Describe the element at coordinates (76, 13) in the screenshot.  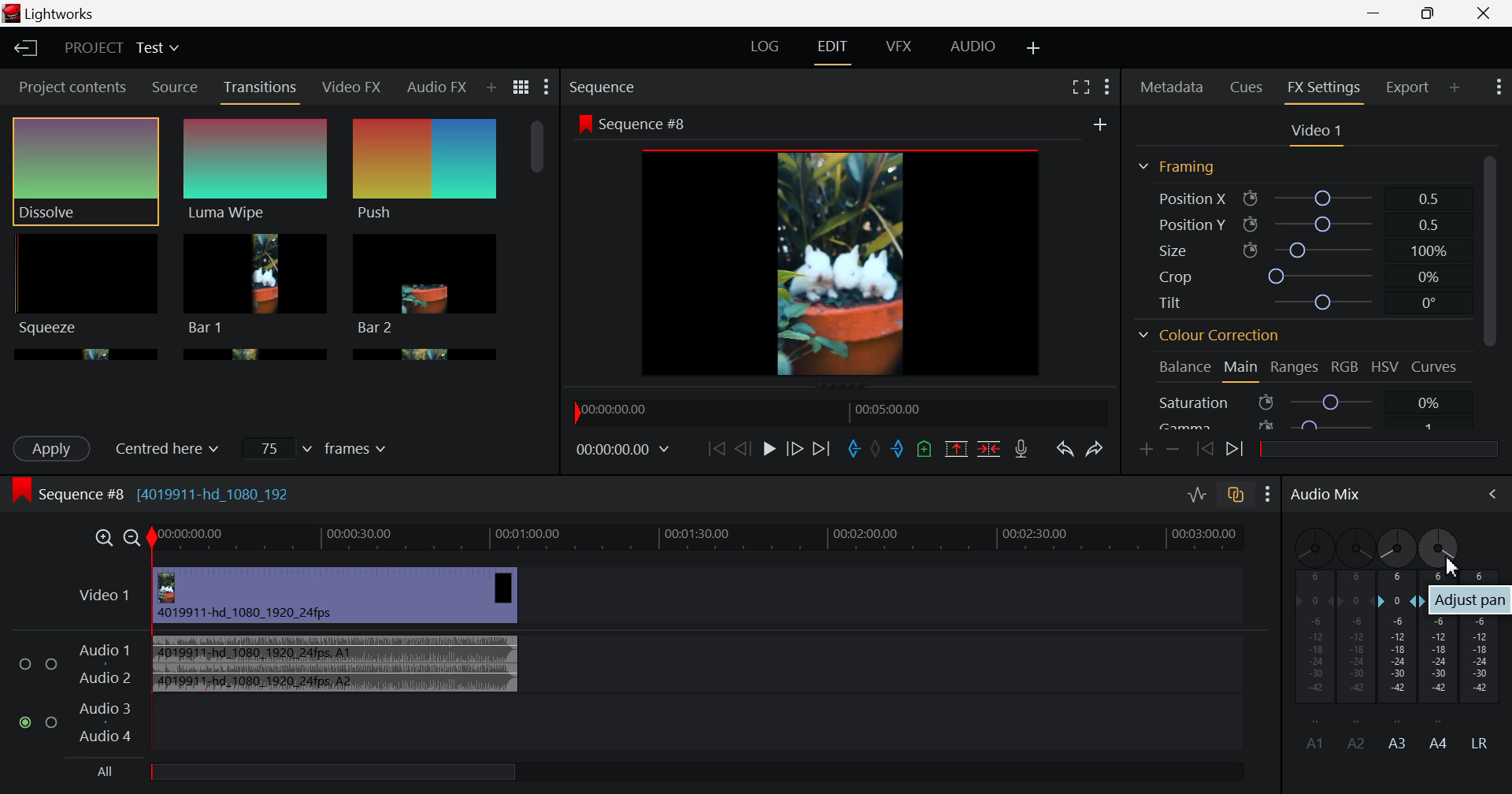
I see `Lightworks` at that location.